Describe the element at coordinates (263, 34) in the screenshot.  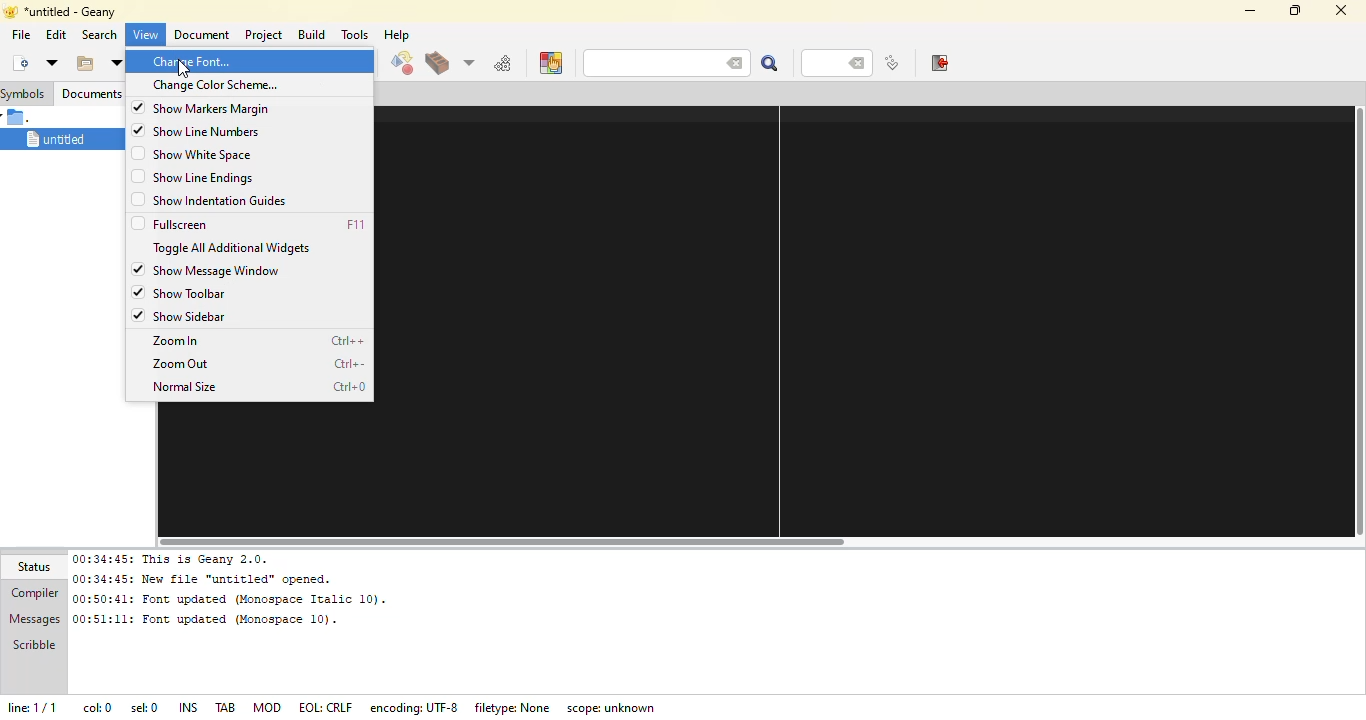
I see `project` at that location.